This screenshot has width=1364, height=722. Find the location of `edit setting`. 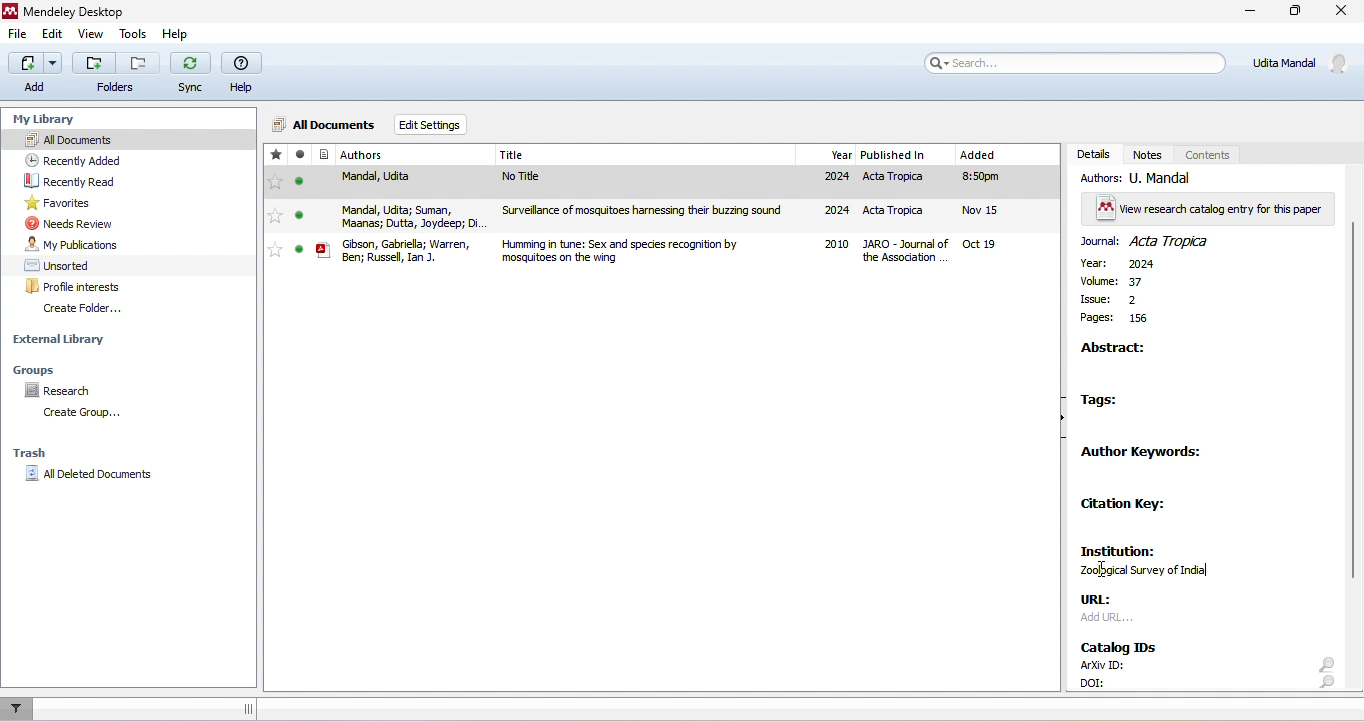

edit setting is located at coordinates (434, 124).